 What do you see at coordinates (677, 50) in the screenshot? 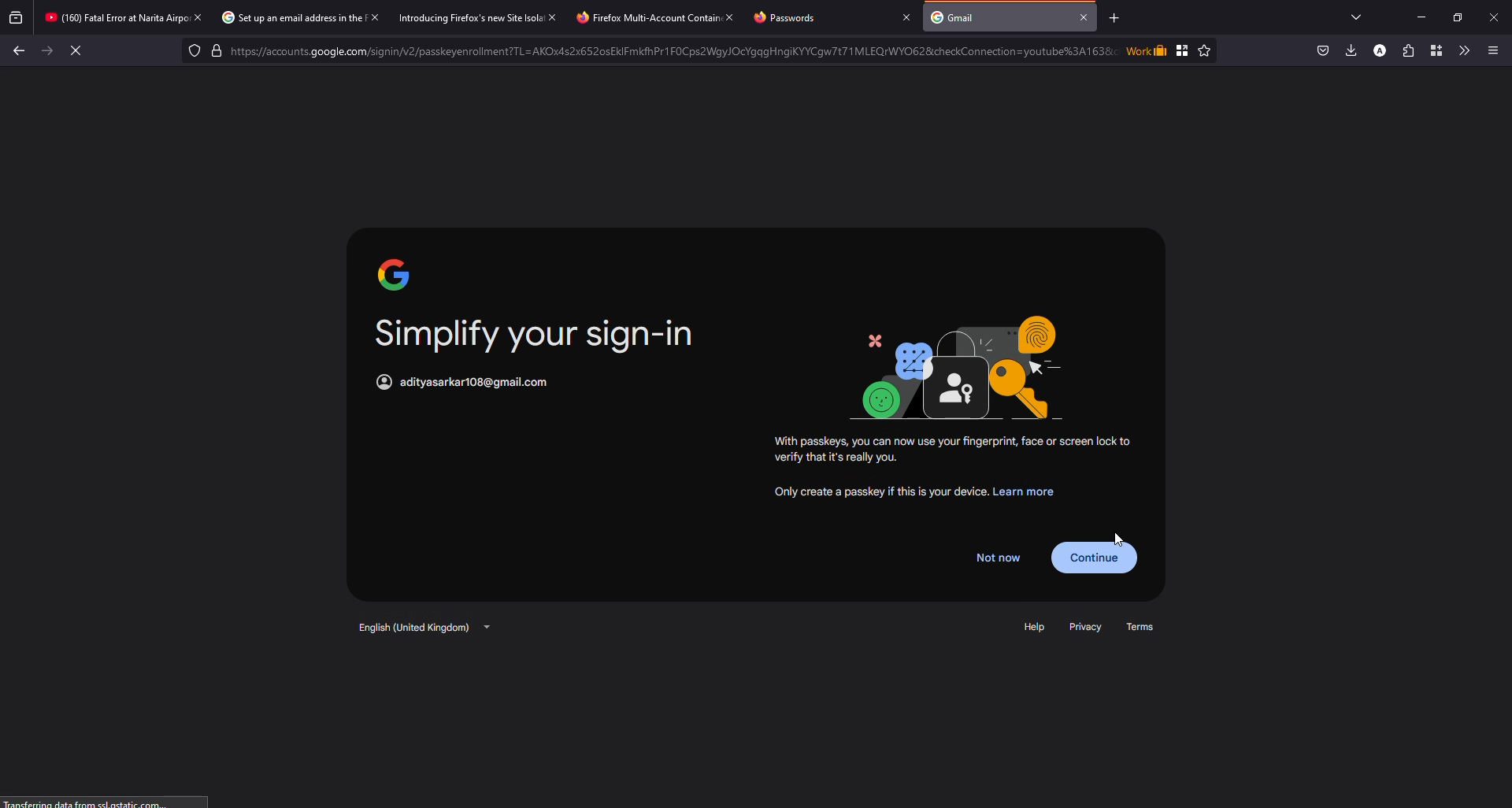
I see `Lock` at bounding box center [677, 50].